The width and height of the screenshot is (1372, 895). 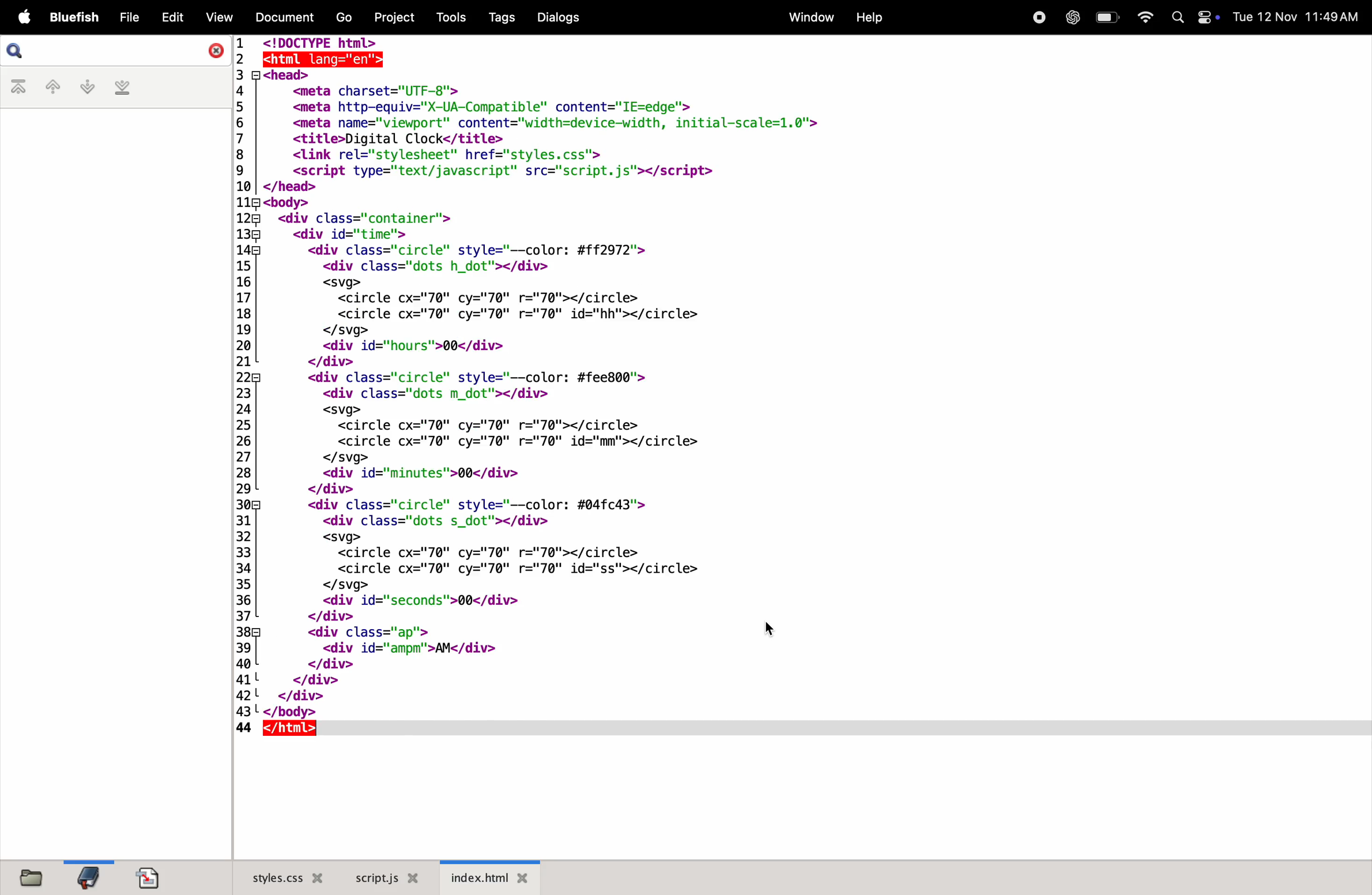 What do you see at coordinates (1143, 17) in the screenshot?
I see `wifi` at bounding box center [1143, 17].